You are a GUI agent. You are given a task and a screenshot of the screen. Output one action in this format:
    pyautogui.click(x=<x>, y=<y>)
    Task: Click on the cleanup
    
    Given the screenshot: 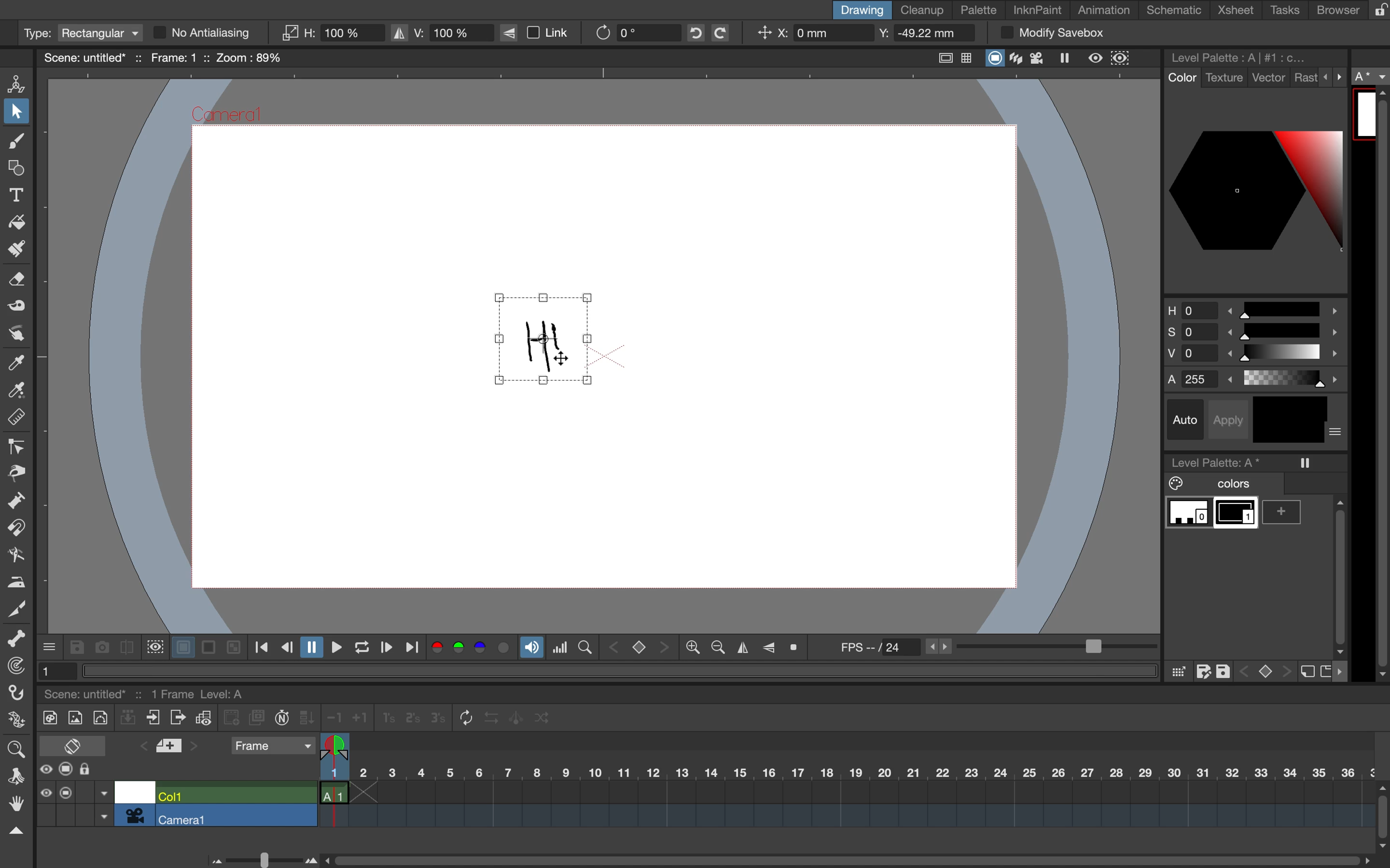 What is the action you would take?
    pyautogui.click(x=923, y=9)
    